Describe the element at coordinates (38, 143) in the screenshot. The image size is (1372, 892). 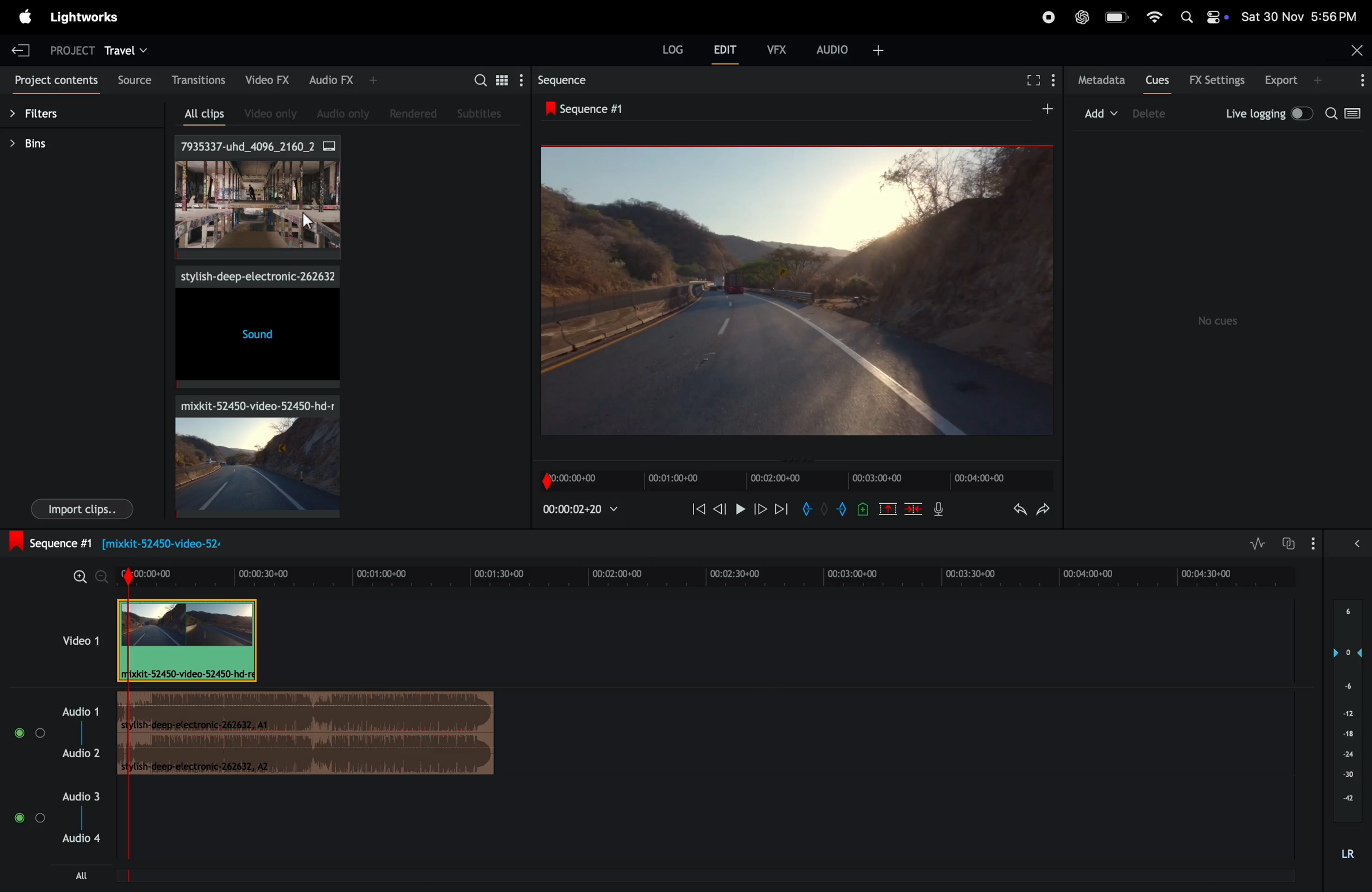
I see `bins` at that location.